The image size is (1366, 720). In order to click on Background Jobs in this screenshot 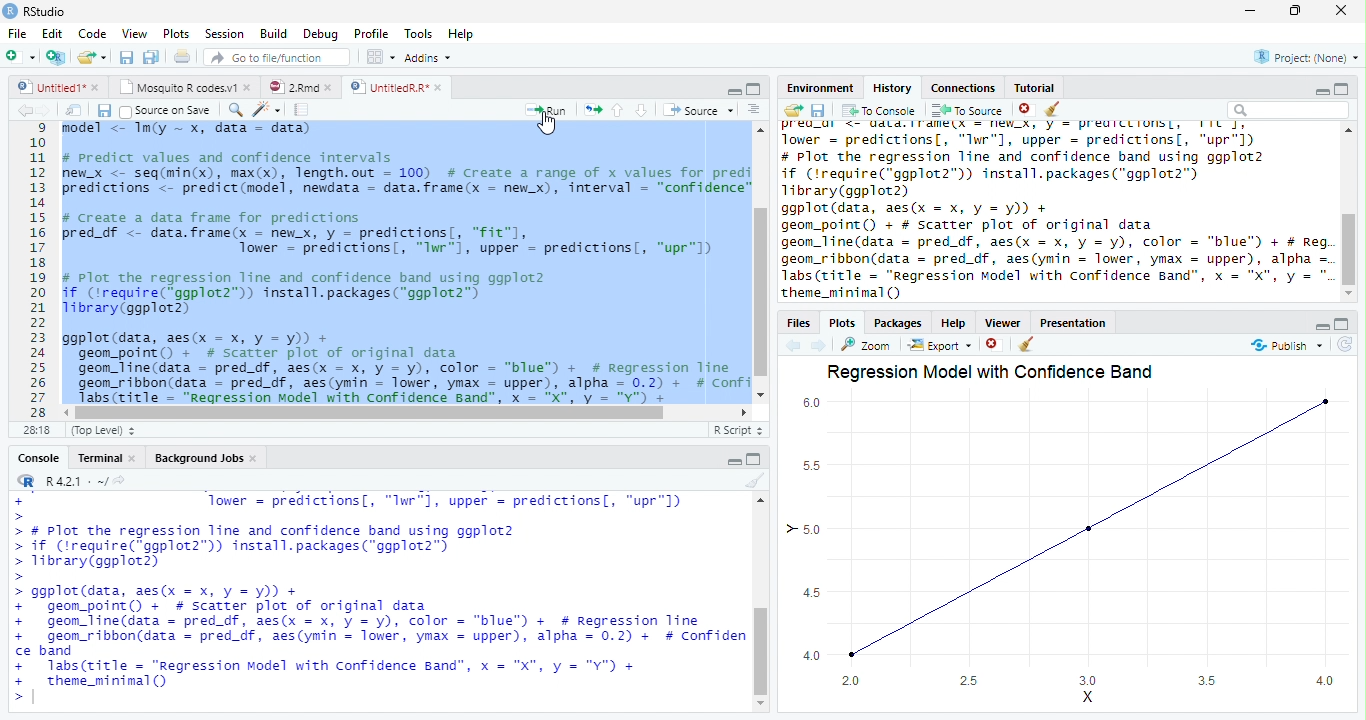, I will do `click(205, 457)`.